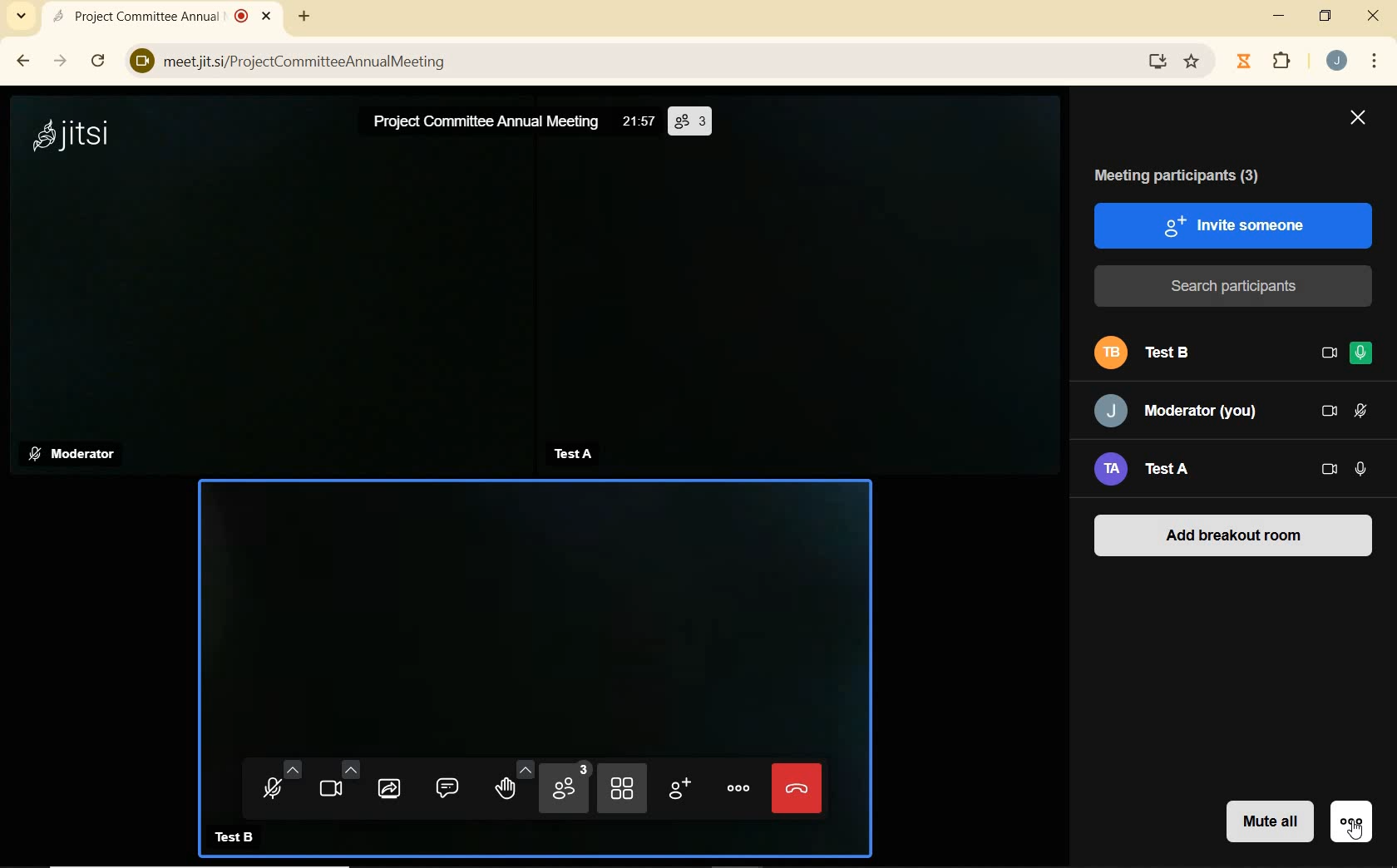  What do you see at coordinates (536, 608) in the screenshot?
I see `Test B camera` at bounding box center [536, 608].